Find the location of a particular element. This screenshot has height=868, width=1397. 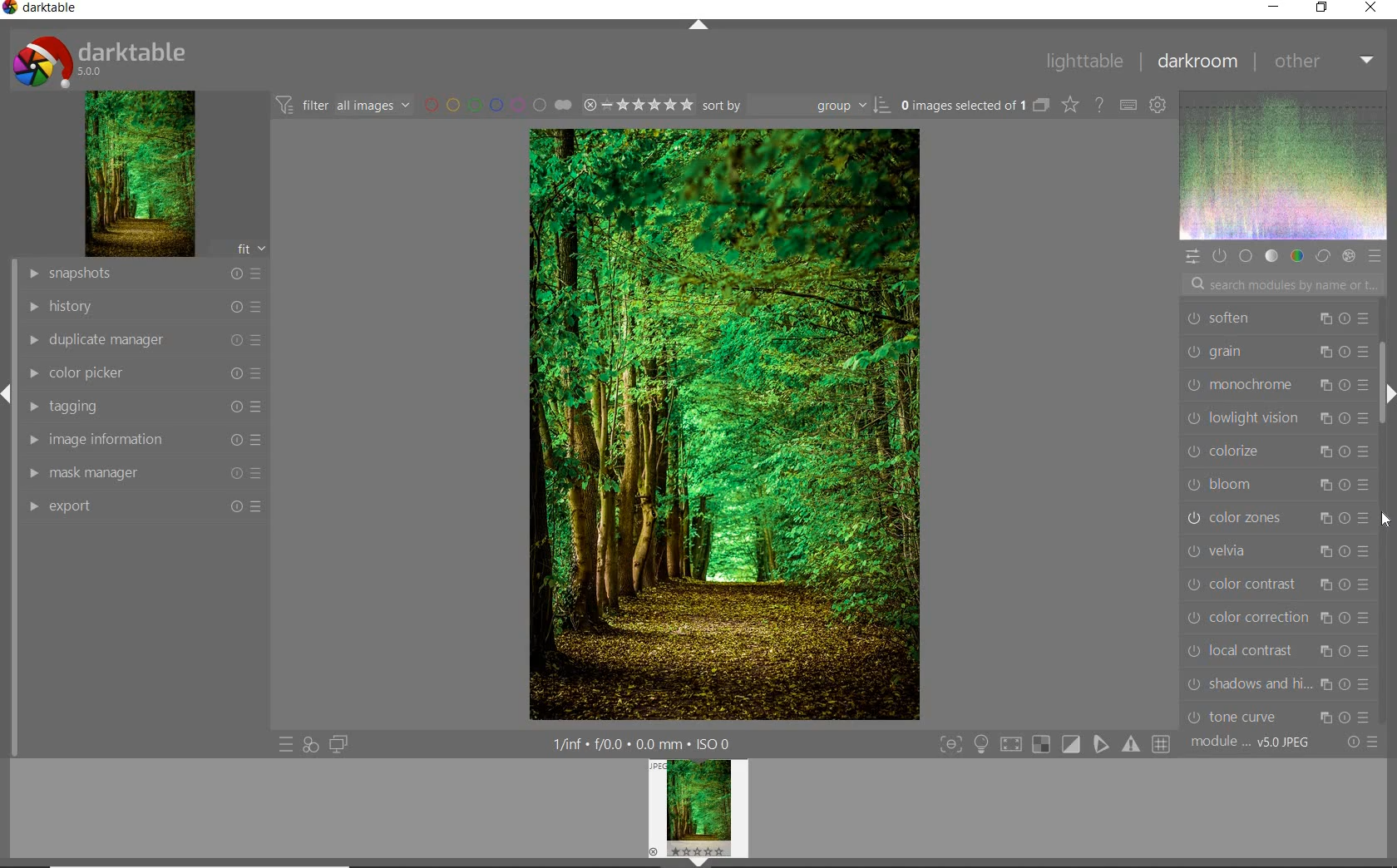

shadows and hi... is located at coordinates (1277, 683).